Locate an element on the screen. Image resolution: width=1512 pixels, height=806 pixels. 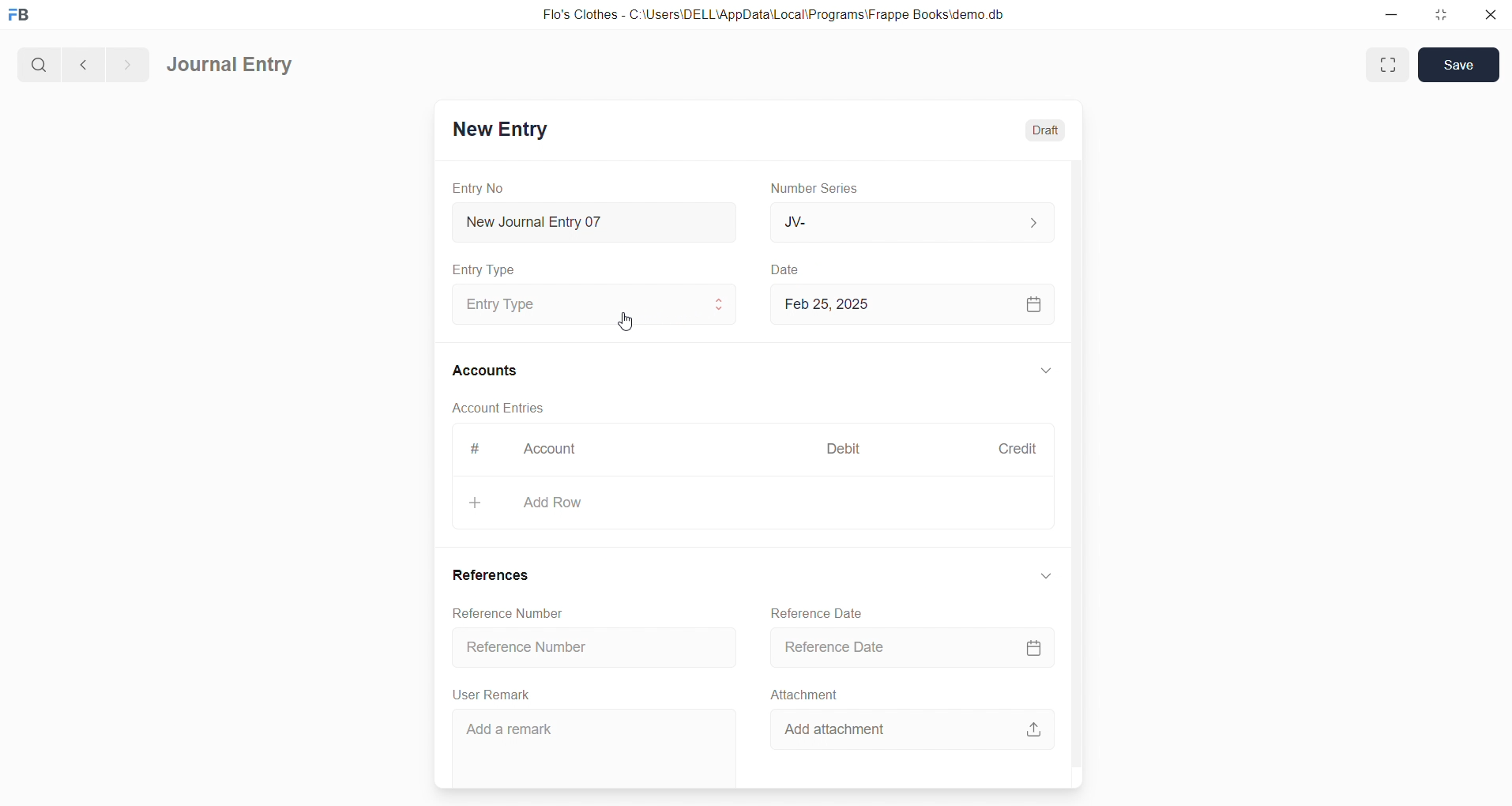
navigate forward is located at coordinates (127, 62).